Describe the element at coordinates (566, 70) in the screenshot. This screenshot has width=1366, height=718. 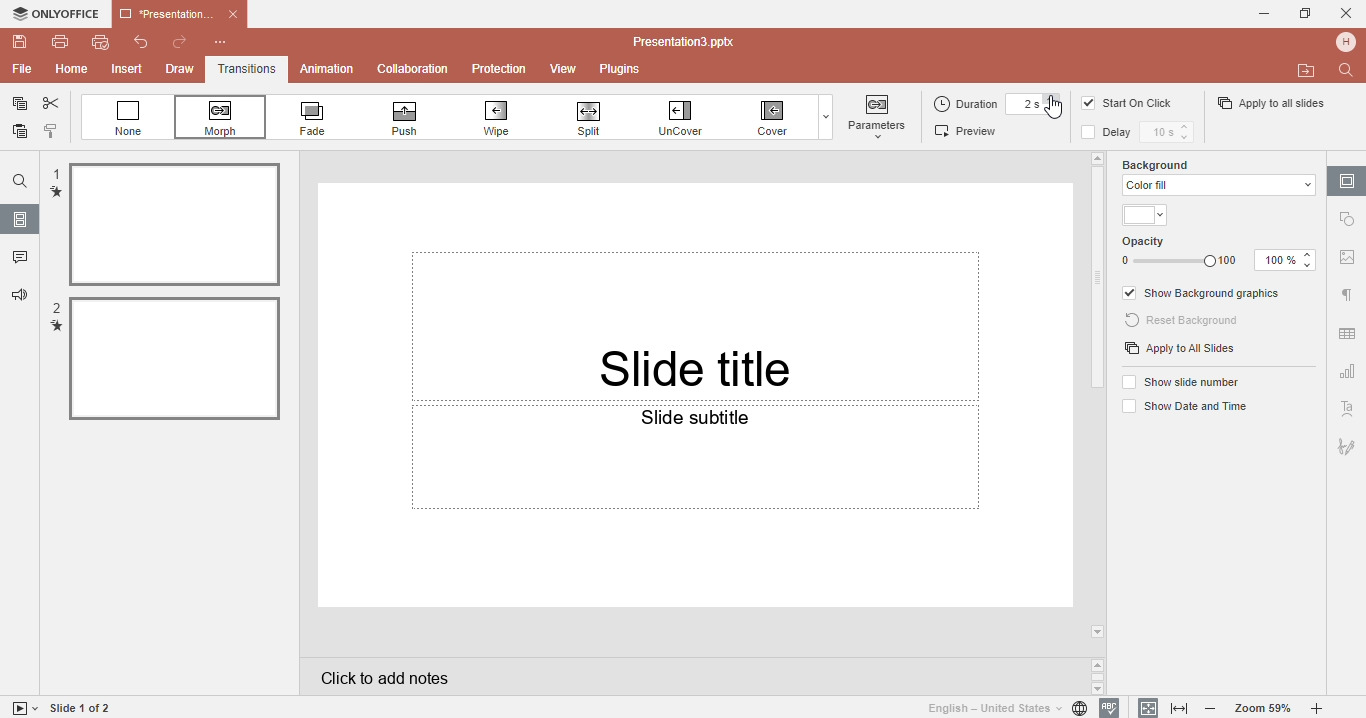
I see `View` at that location.